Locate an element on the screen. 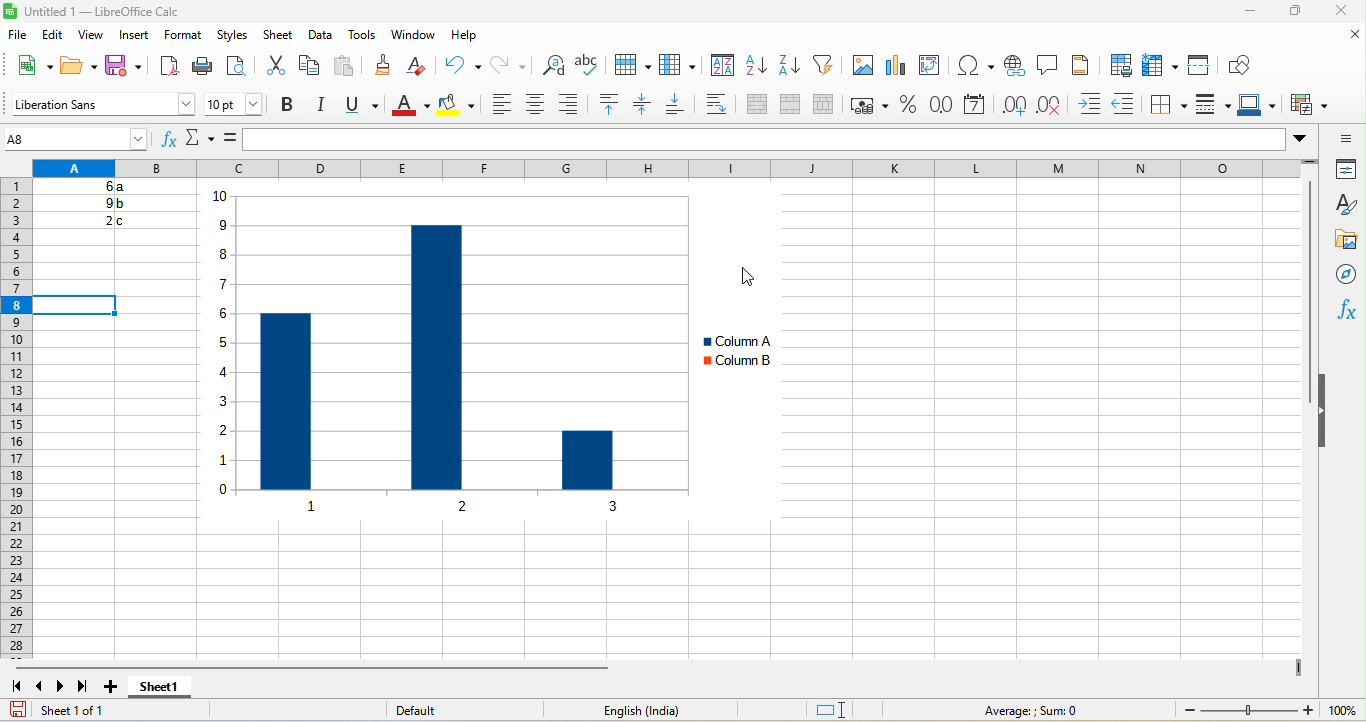 The height and width of the screenshot is (722, 1366). formula is located at coordinates (233, 137).